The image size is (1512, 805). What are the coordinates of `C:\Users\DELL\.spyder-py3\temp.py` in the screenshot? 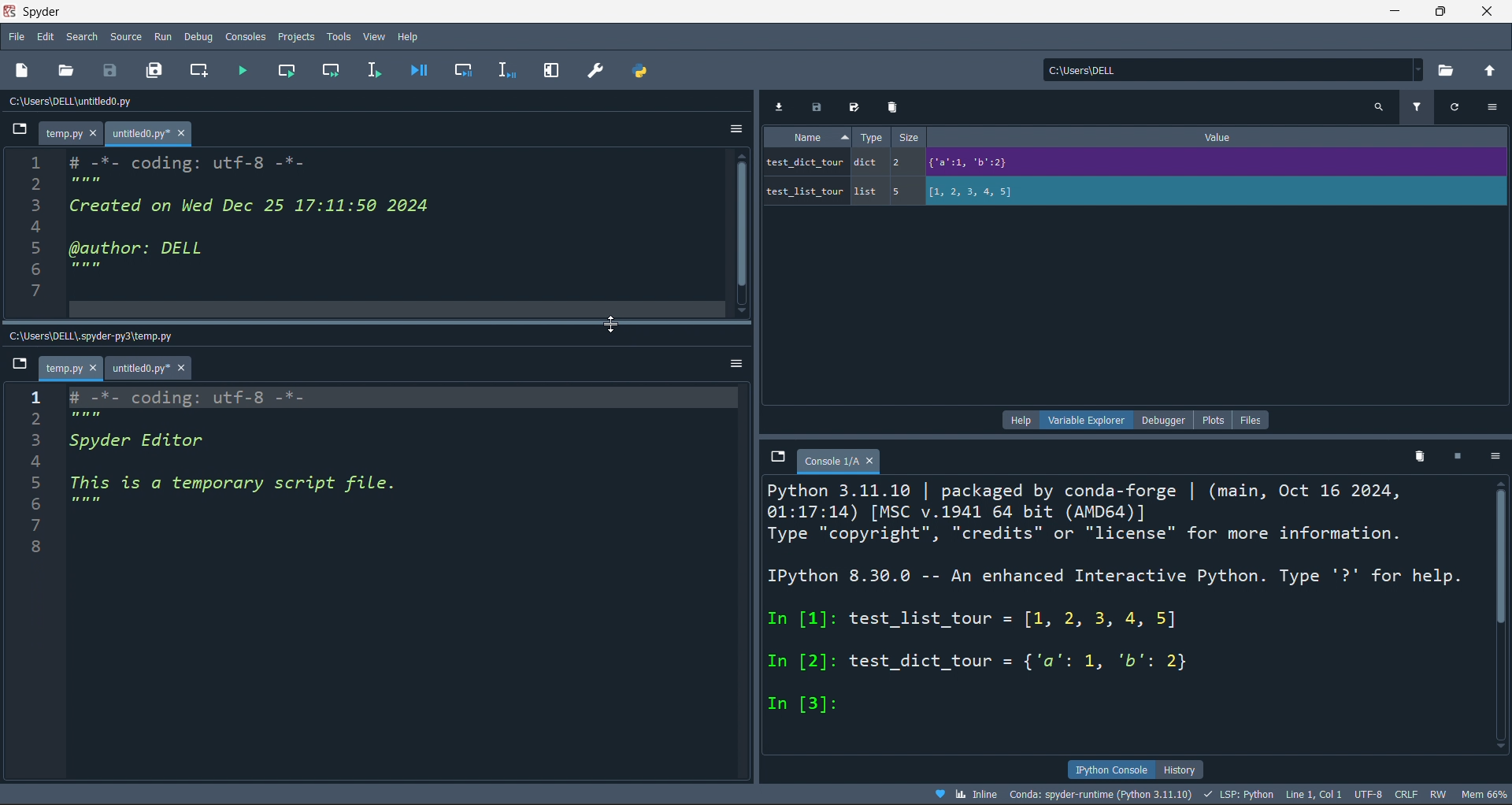 It's located at (106, 333).